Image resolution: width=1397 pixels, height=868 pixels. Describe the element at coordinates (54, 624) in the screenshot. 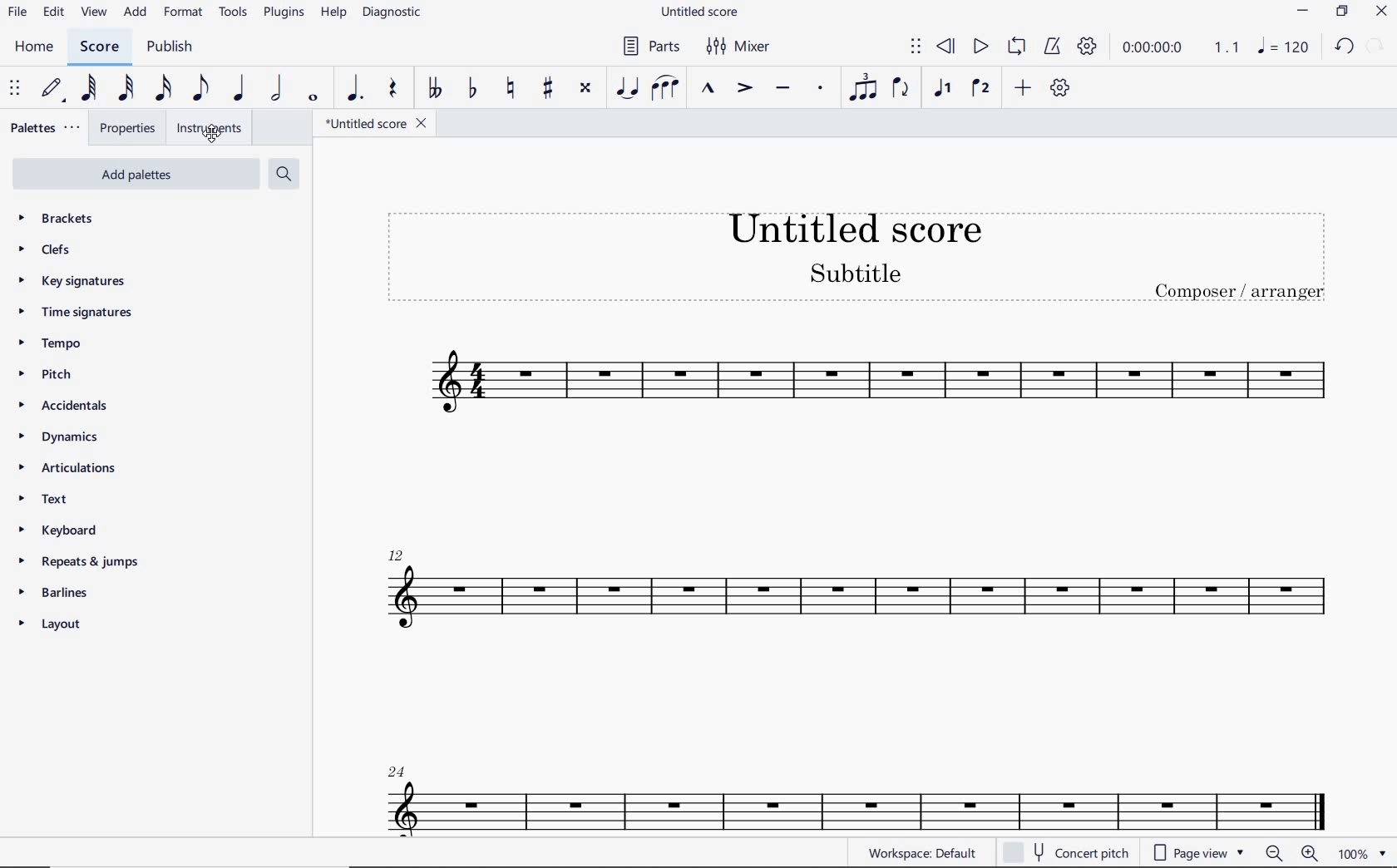

I see `layout` at that location.